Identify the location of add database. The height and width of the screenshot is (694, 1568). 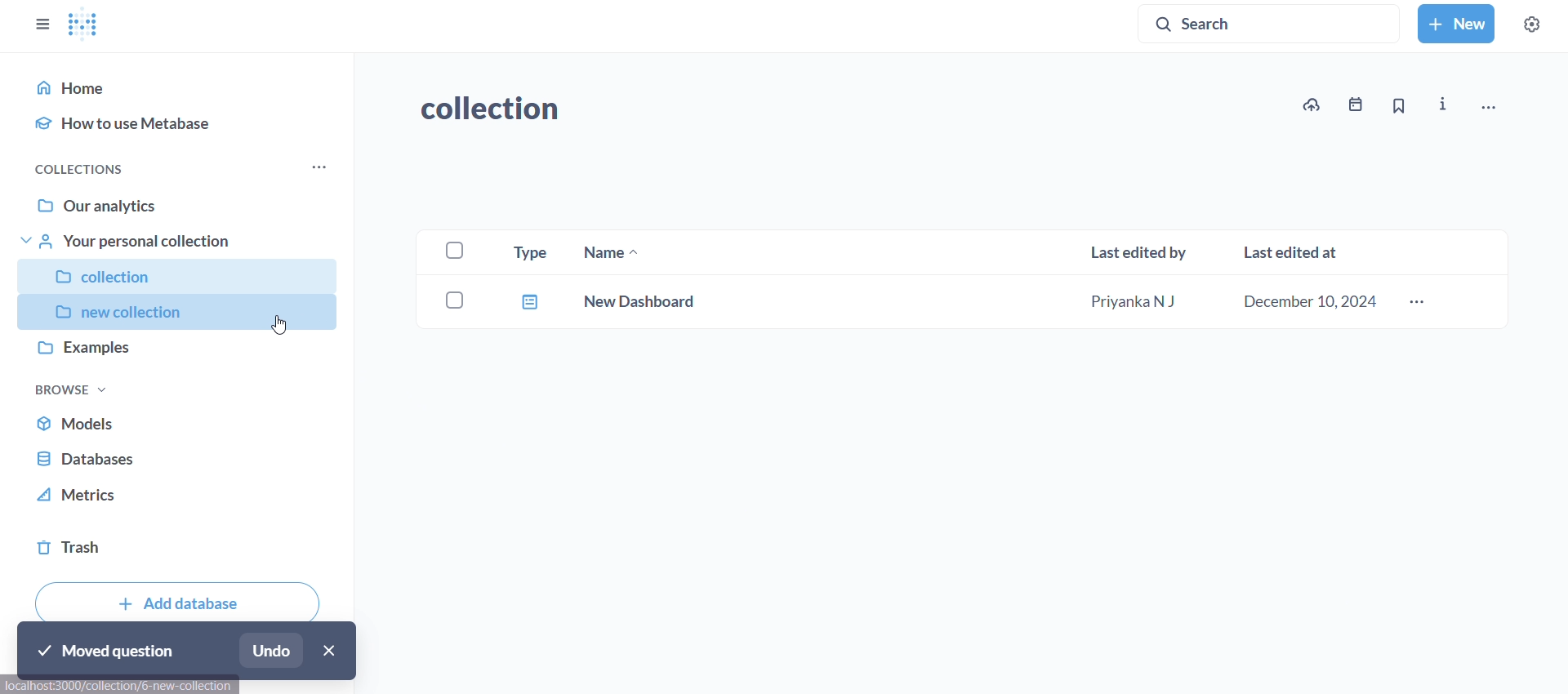
(179, 598).